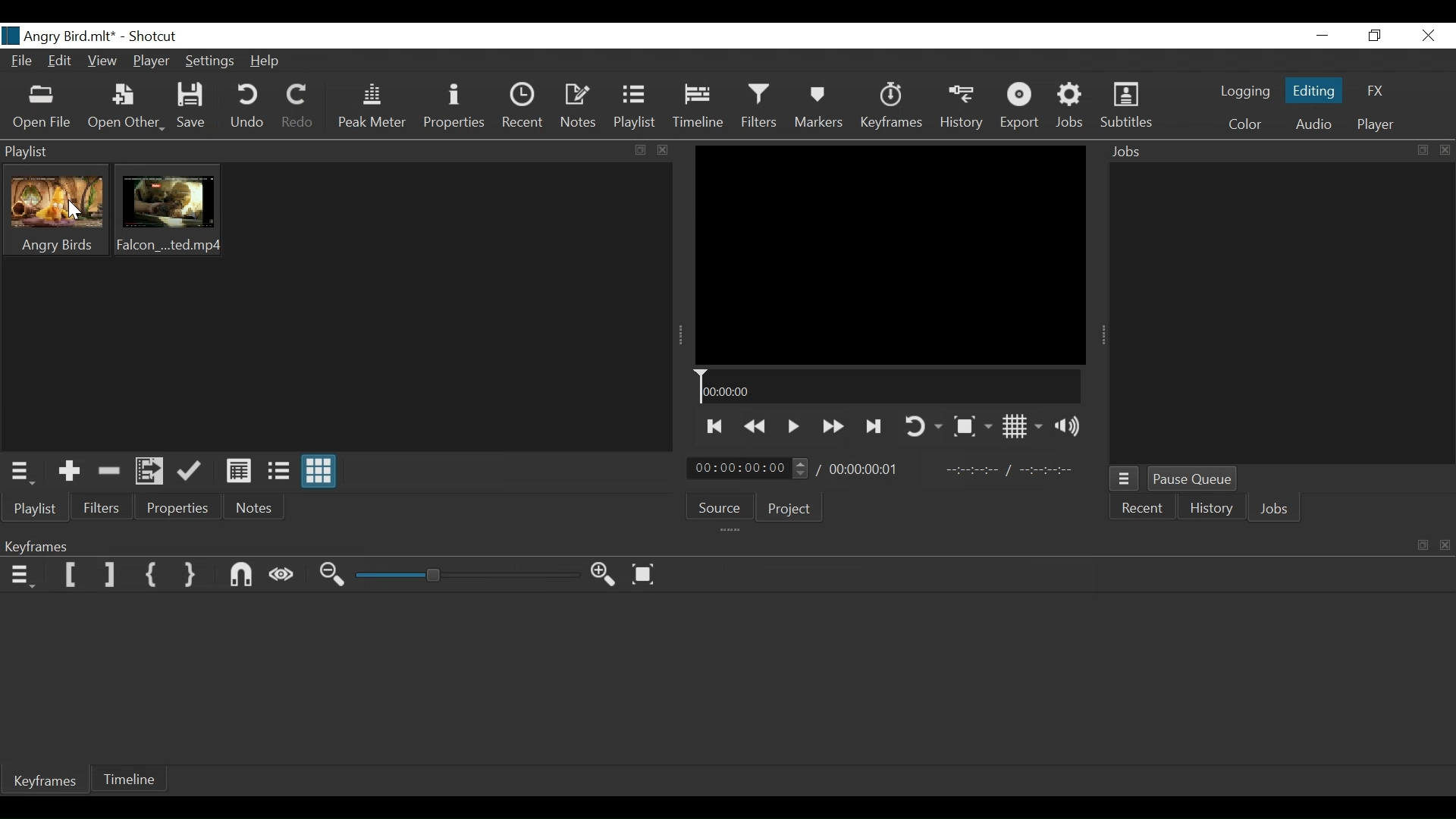  Describe the element at coordinates (1311, 90) in the screenshot. I see `Editing` at that location.